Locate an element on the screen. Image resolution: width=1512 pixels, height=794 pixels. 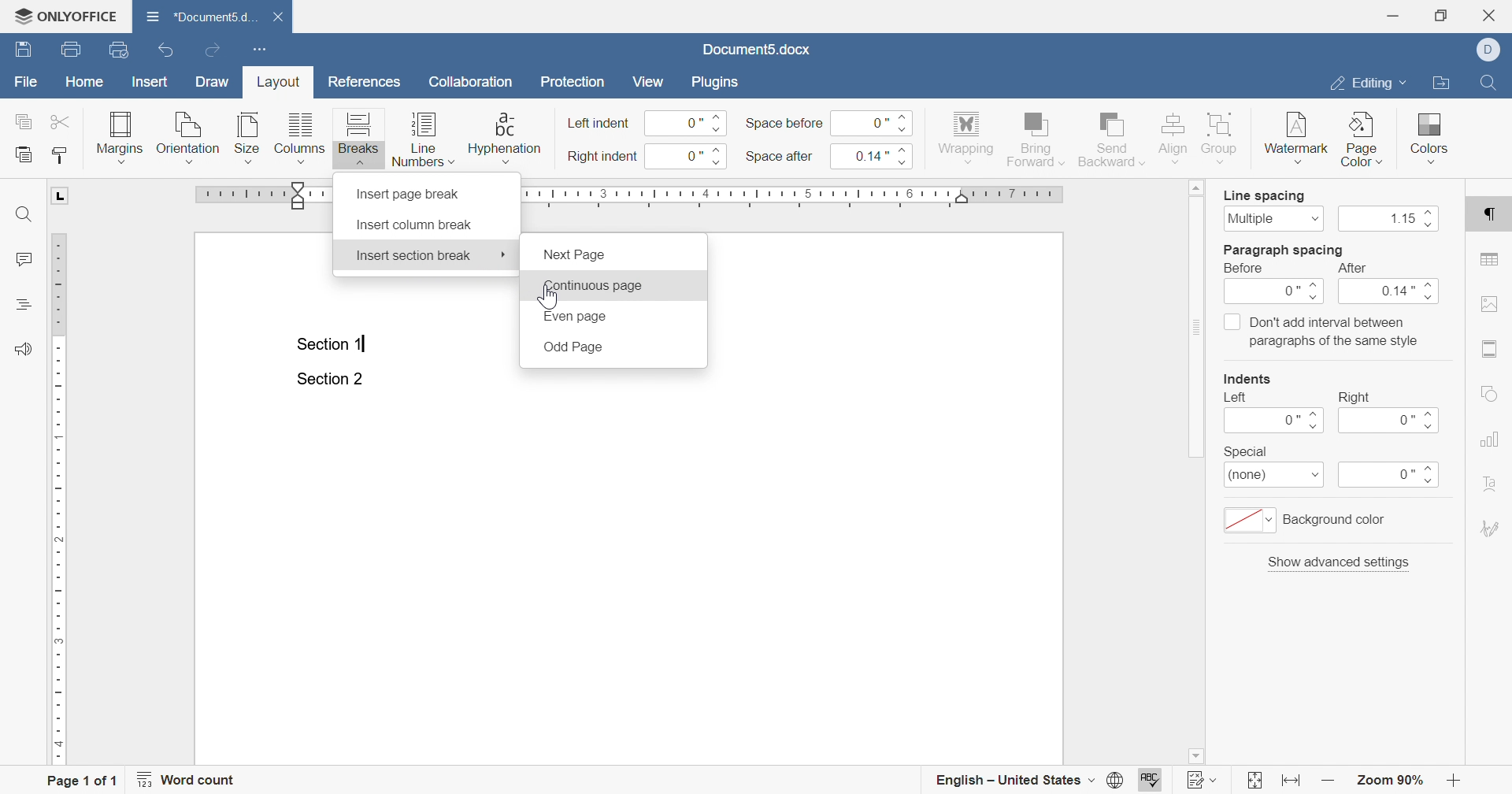
headings is located at coordinates (21, 305).